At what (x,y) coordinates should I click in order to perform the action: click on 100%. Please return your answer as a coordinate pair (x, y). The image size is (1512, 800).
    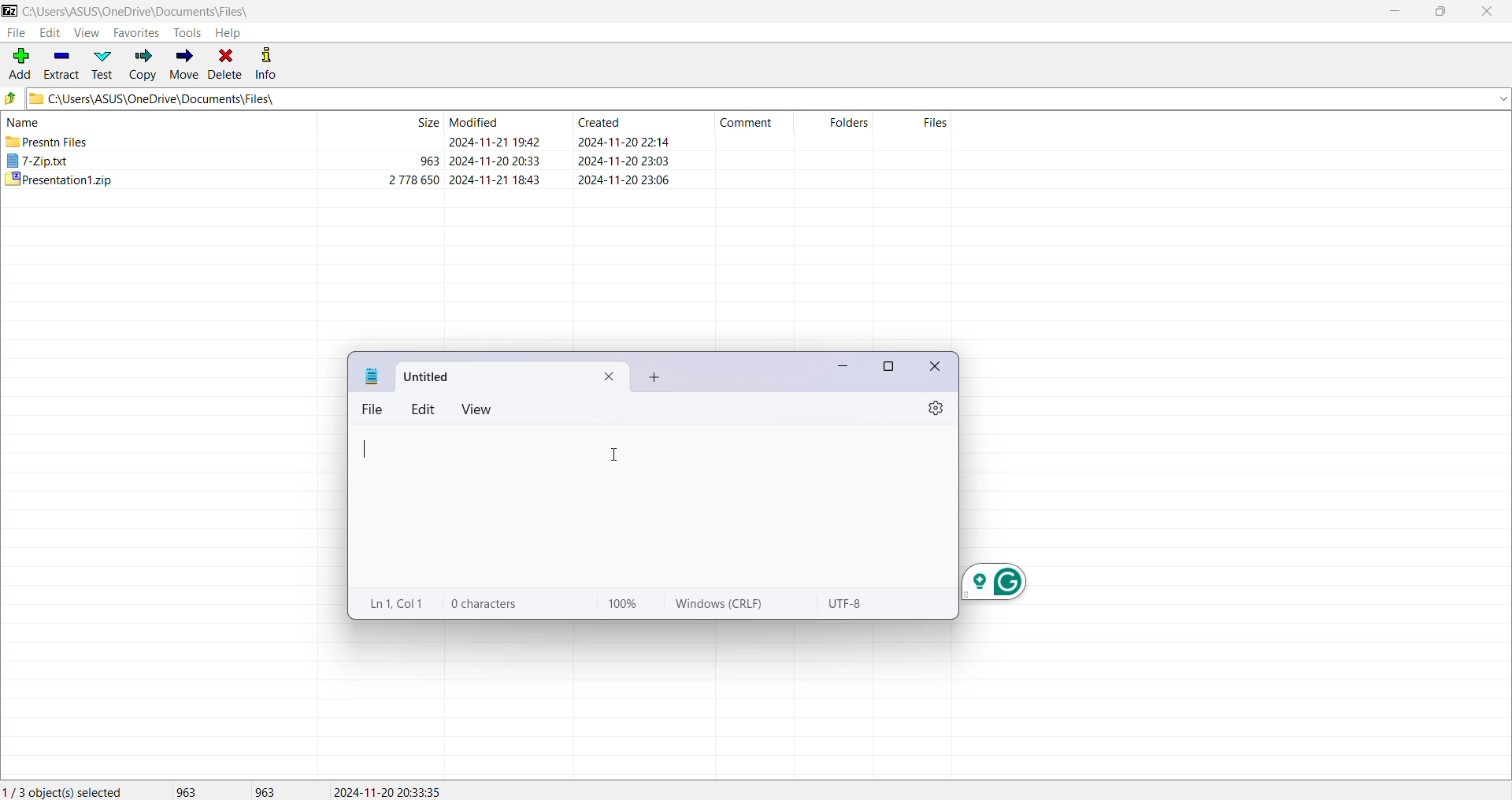
    Looking at the image, I should click on (622, 603).